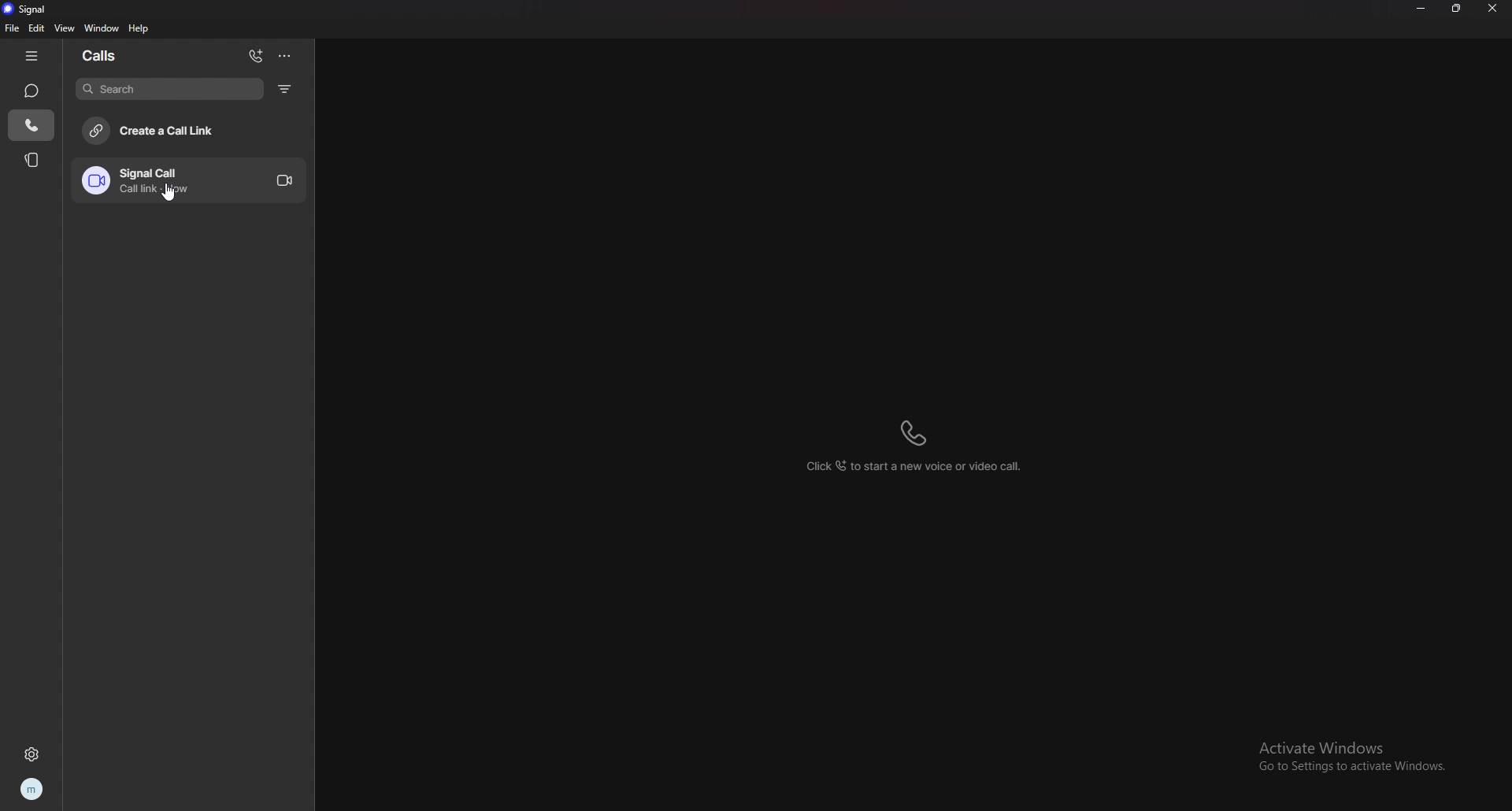 The height and width of the screenshot is (811, 1512). What do you see at coordinates (33, 56) in the screenshot?
I see `hide tab` at bounding box center [33, 56].